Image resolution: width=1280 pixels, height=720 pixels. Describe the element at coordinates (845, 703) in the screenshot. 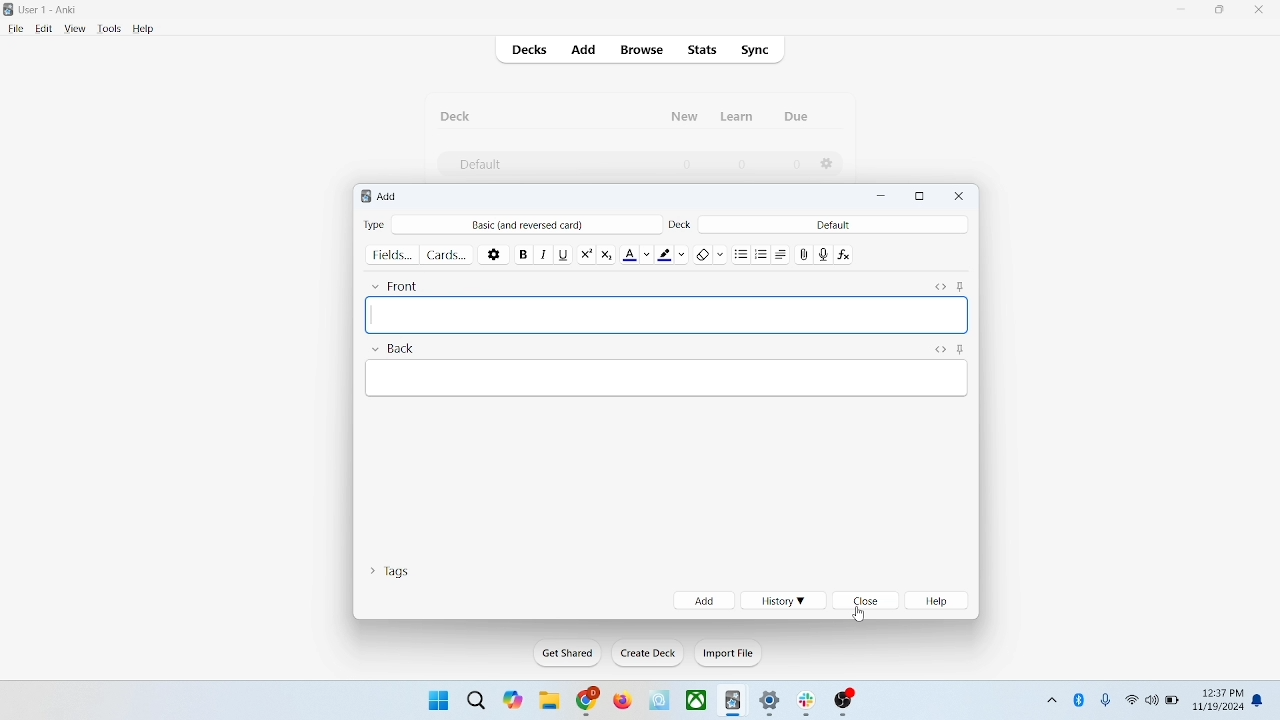

I see `icon` at that location.